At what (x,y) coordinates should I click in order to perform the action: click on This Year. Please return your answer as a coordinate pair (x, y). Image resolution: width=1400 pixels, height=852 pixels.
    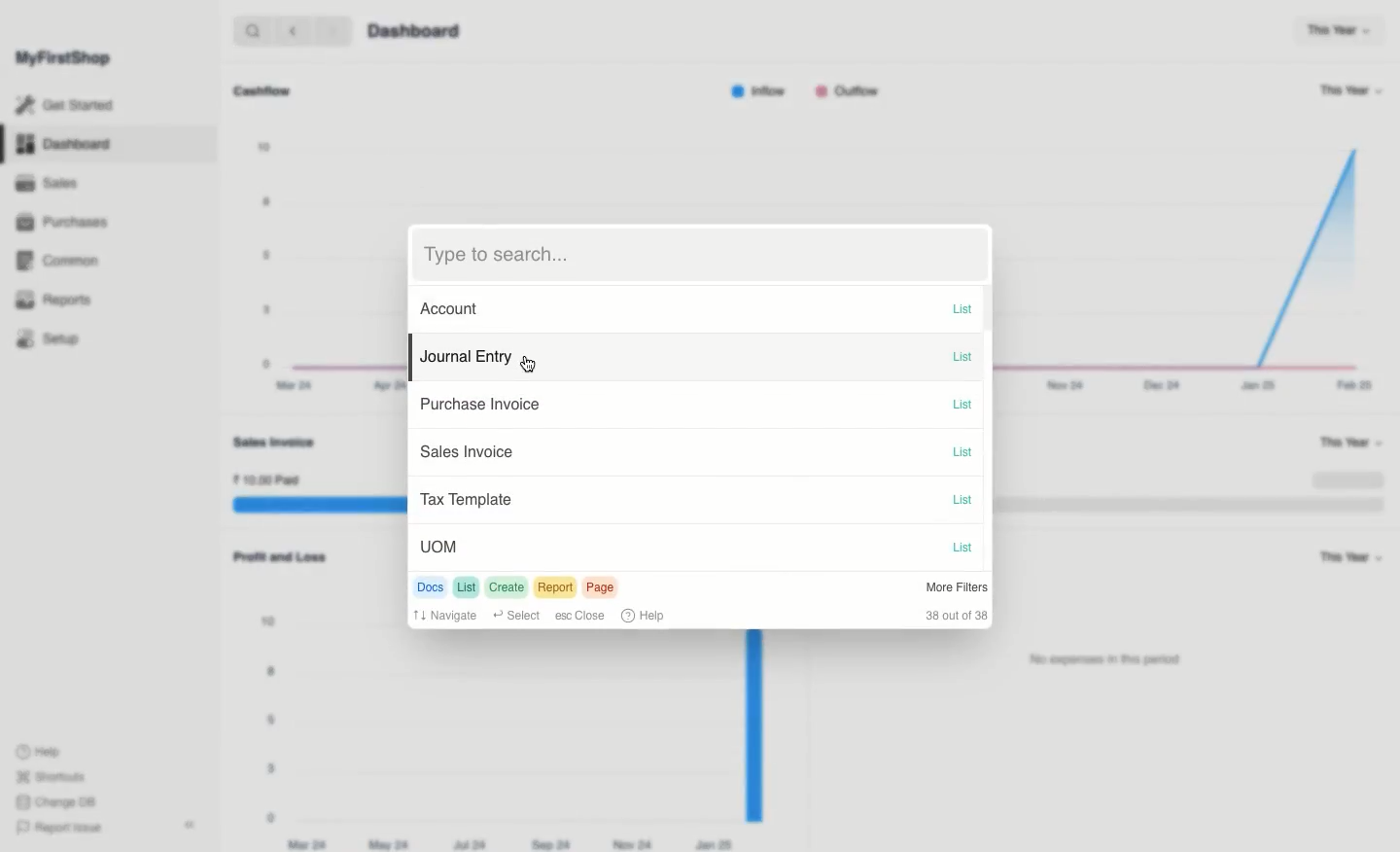
    Looking at the image, I should click on (1345, 444).